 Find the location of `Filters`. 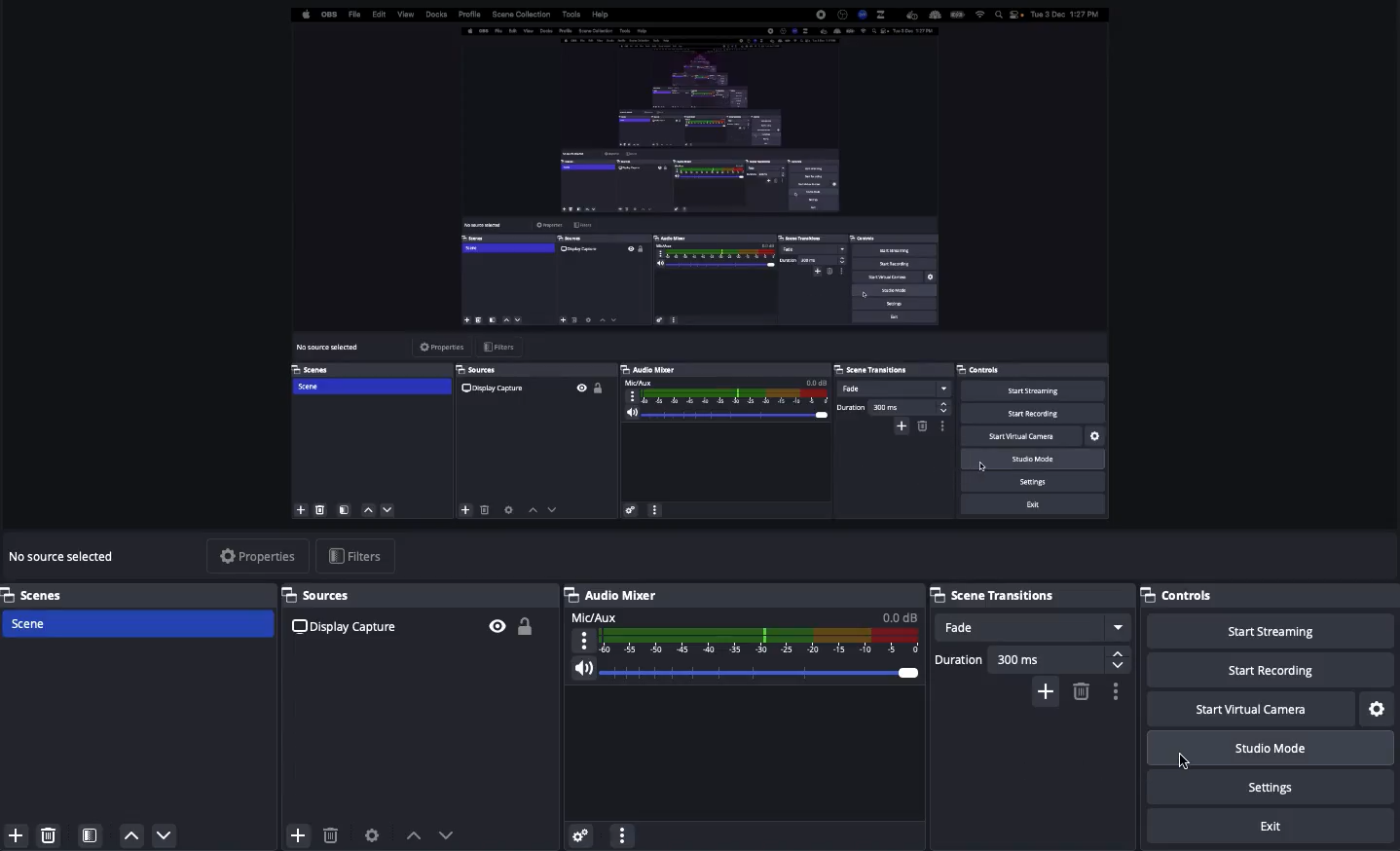

Filters is located at coordinates (358, 555).